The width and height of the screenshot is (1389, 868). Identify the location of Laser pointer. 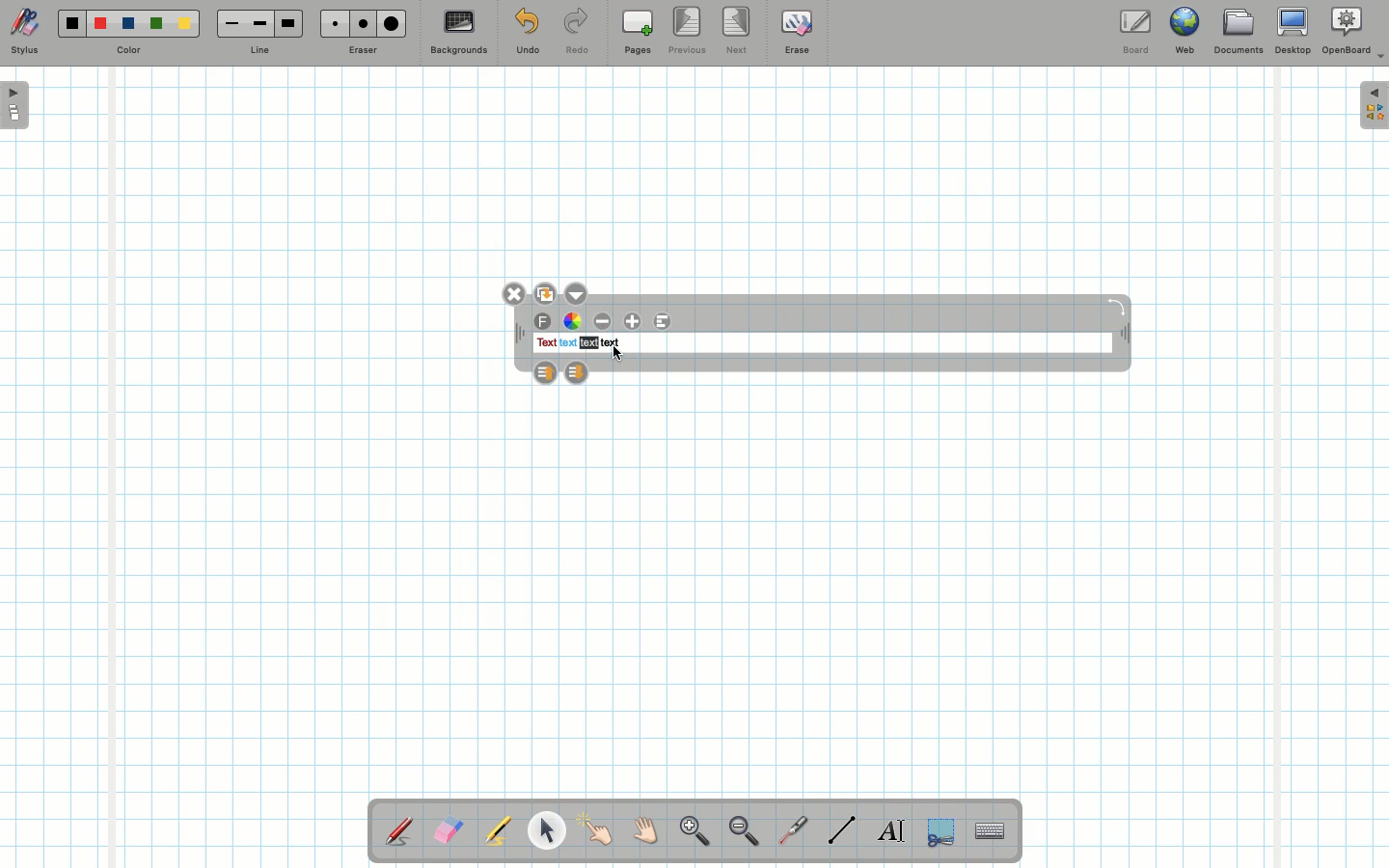
(789, 831).